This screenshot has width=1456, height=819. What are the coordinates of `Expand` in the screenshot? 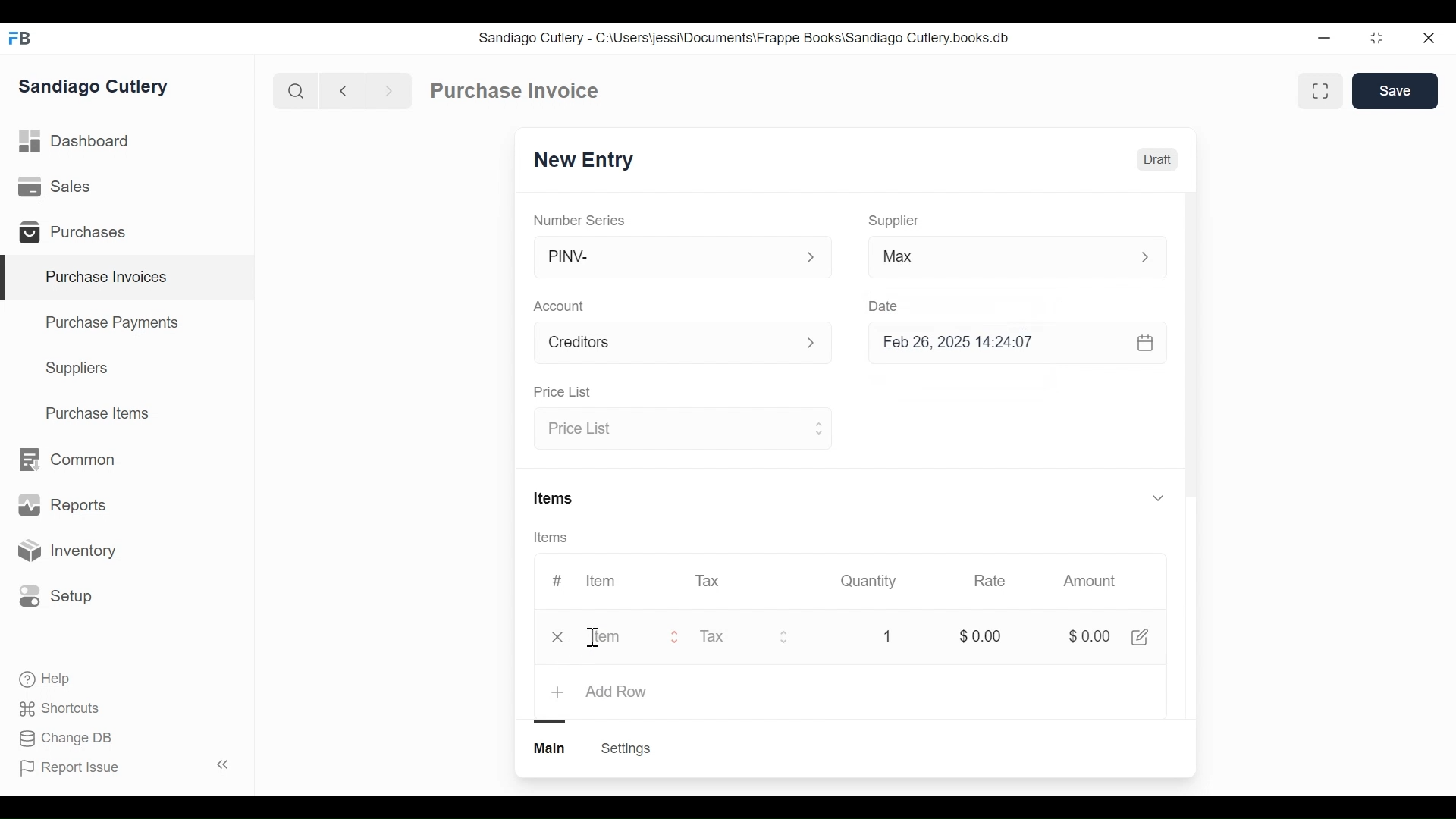 It's located at (817, 427).